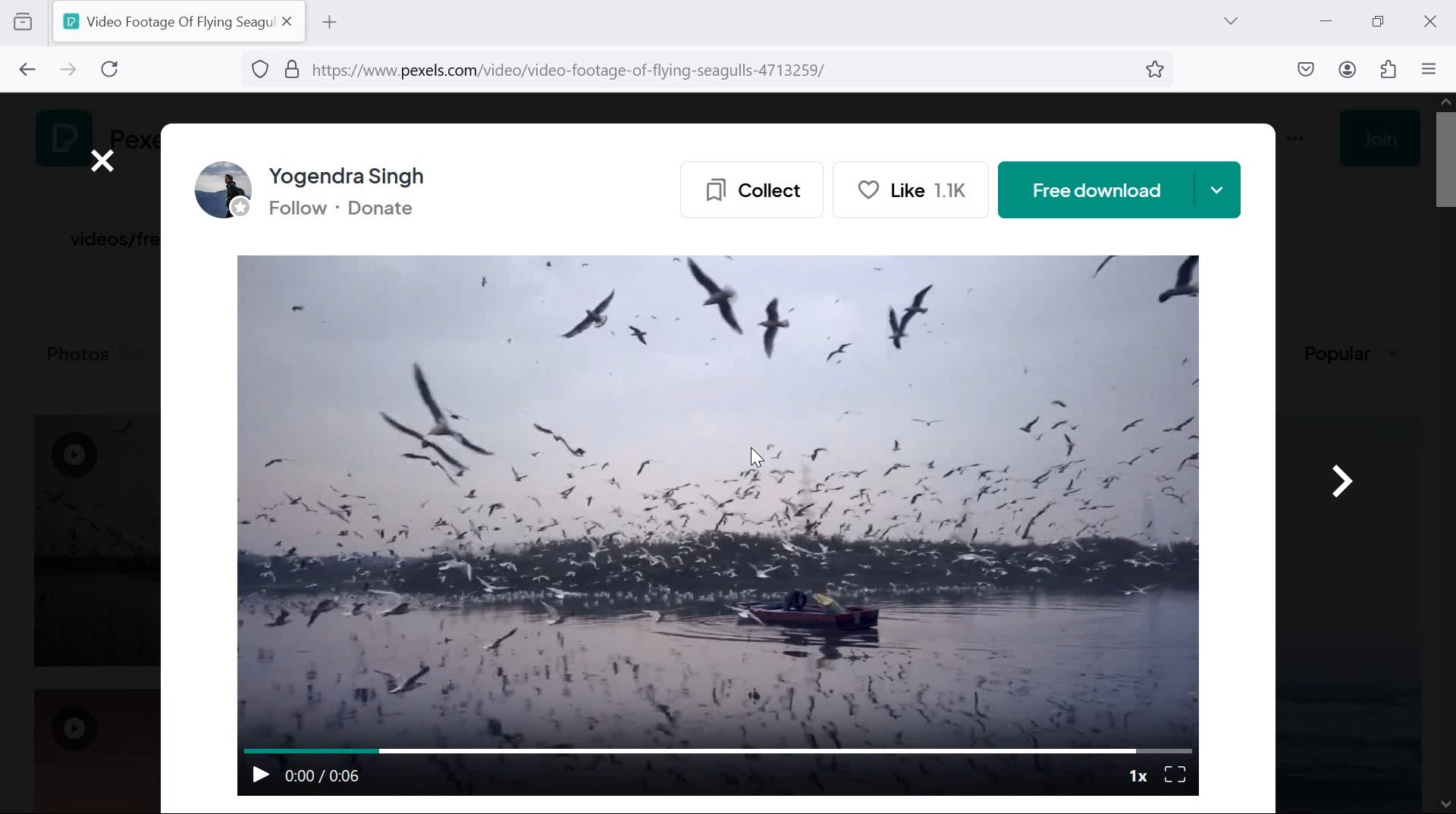 The width and height of the screenshot is (1456, 814). Describe the element at coordinates (23, 20) in the screenshot. I see `view recent history across devices and windows` at that location.